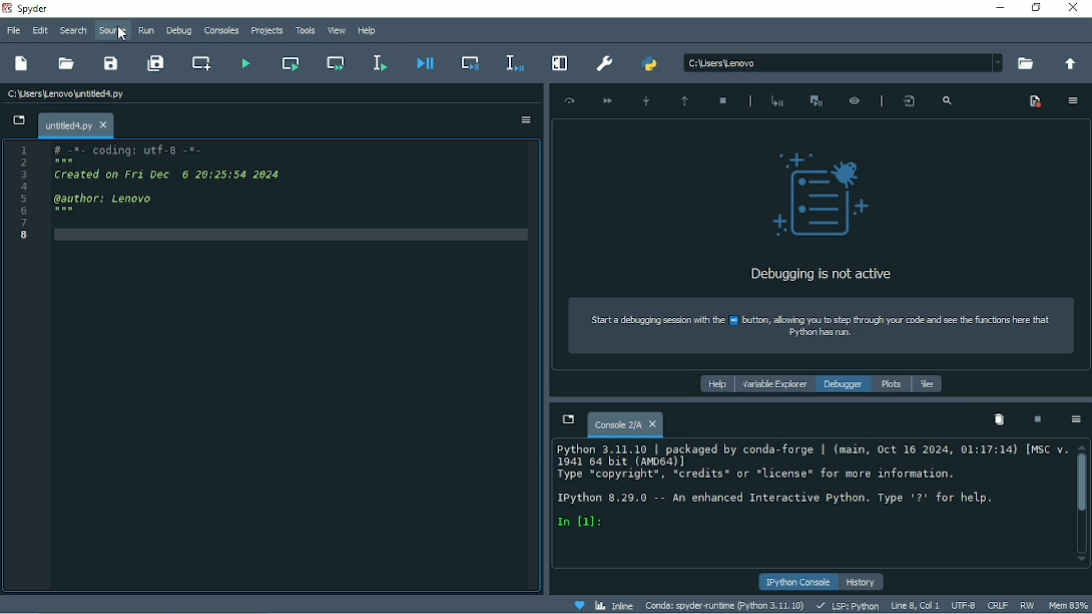  I want to click on Created on date and time, so click(166, 175).